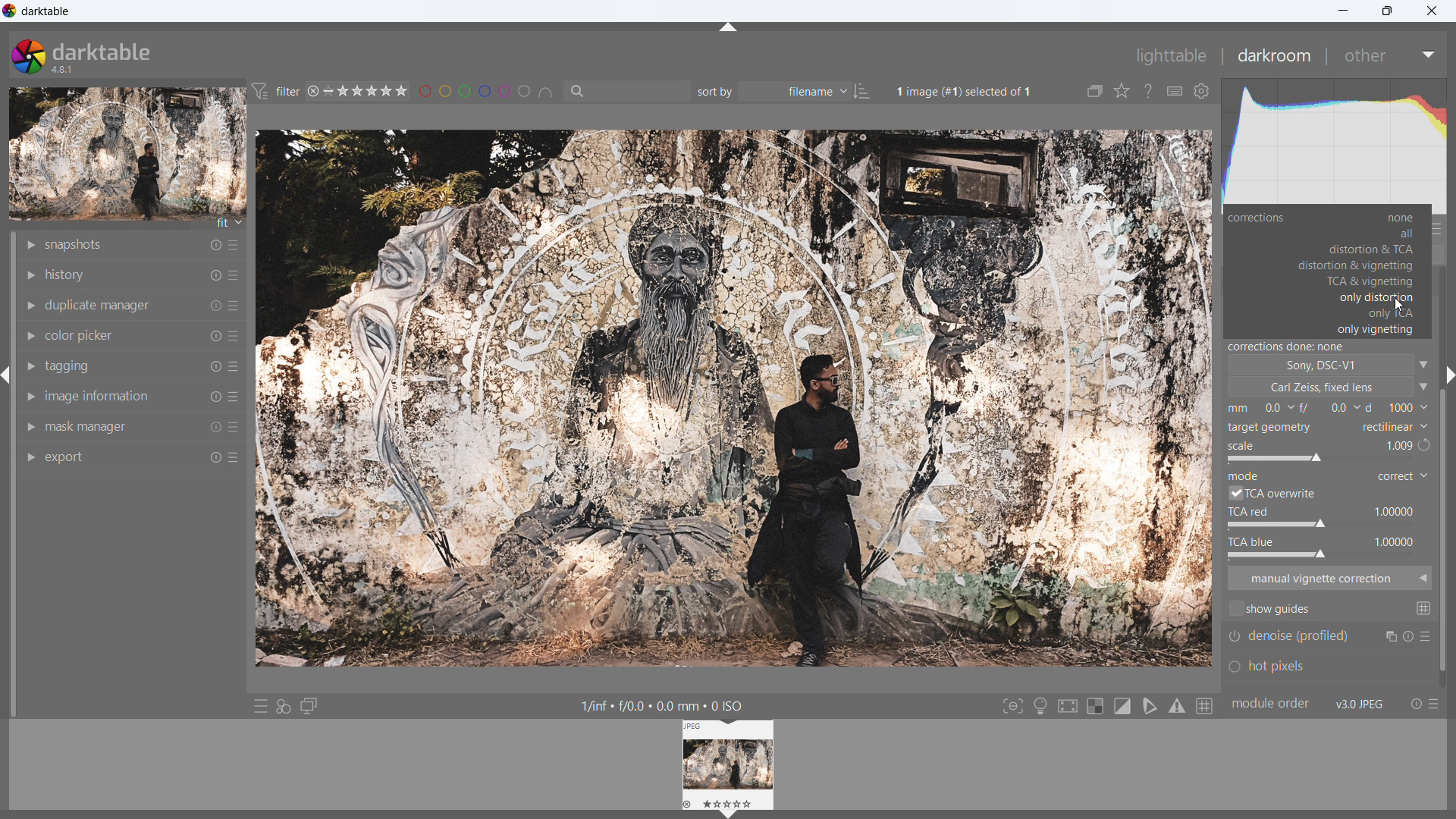 This screenshot has height=819, width=1456. I want to click on logo, so click(10, 11).